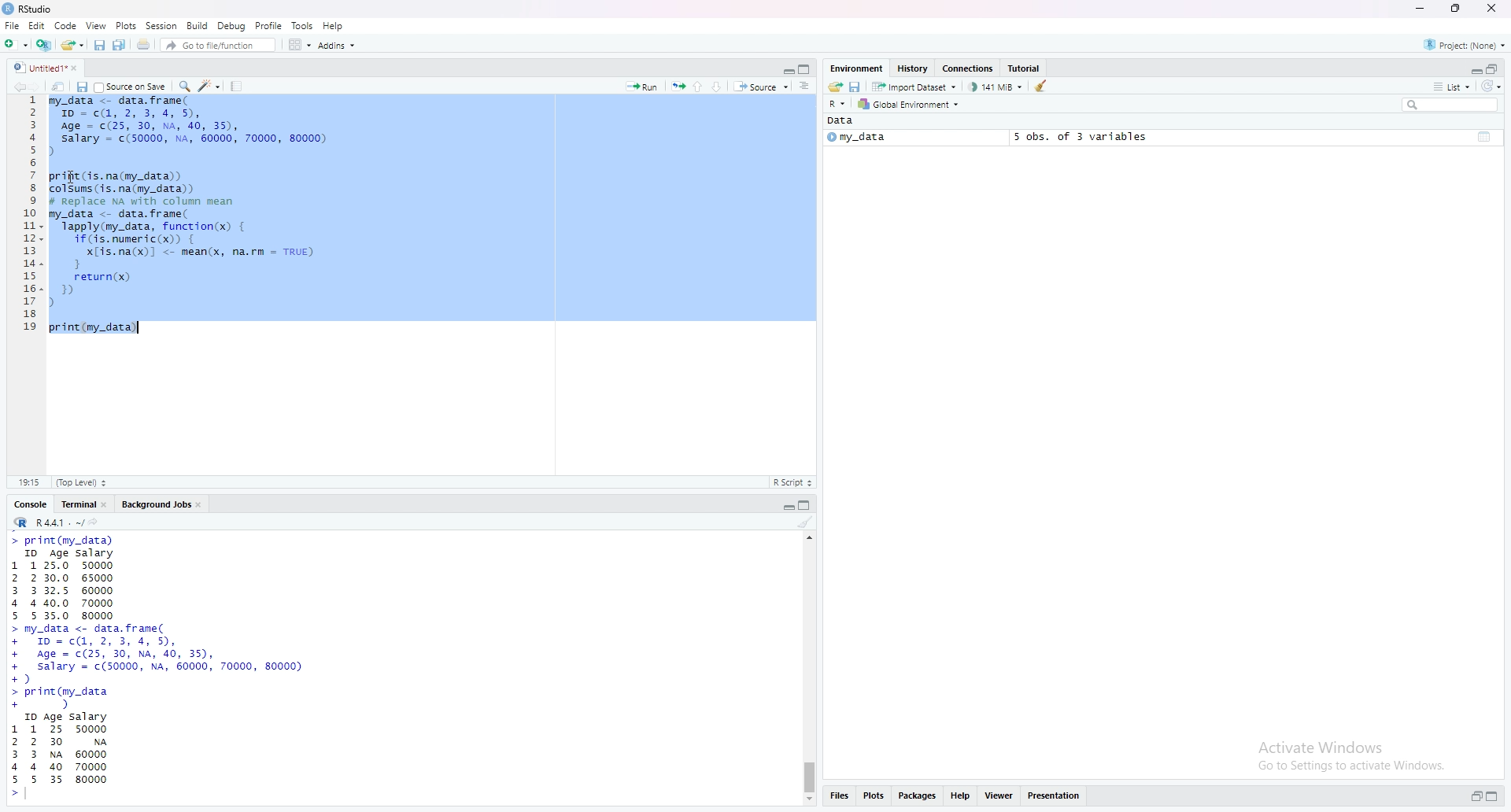  Describe the element at coordinates (96, 25) in the screenshot. I see `view` at that location.